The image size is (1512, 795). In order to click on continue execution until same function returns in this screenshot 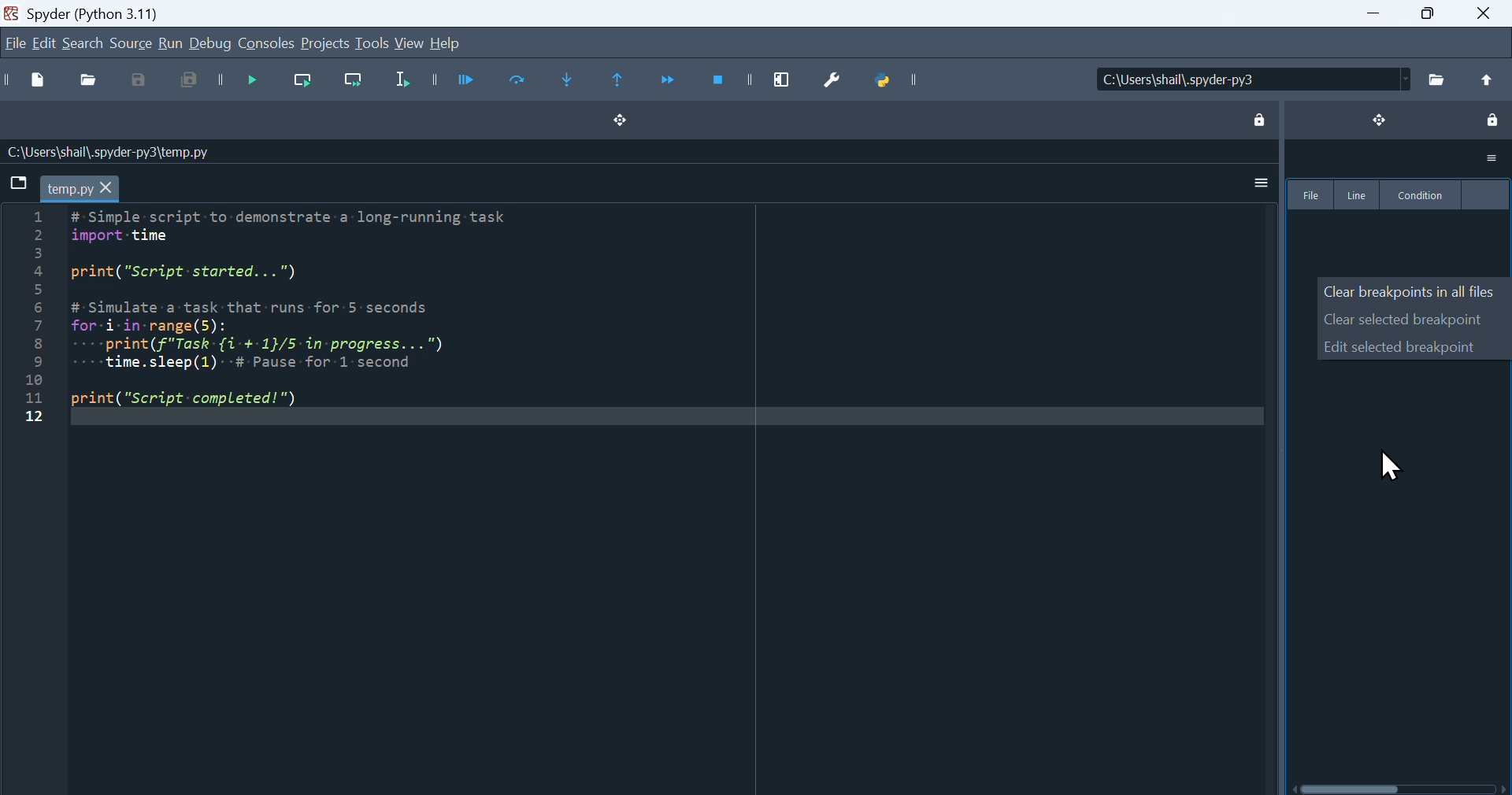, I will do `click(621, 82)`.